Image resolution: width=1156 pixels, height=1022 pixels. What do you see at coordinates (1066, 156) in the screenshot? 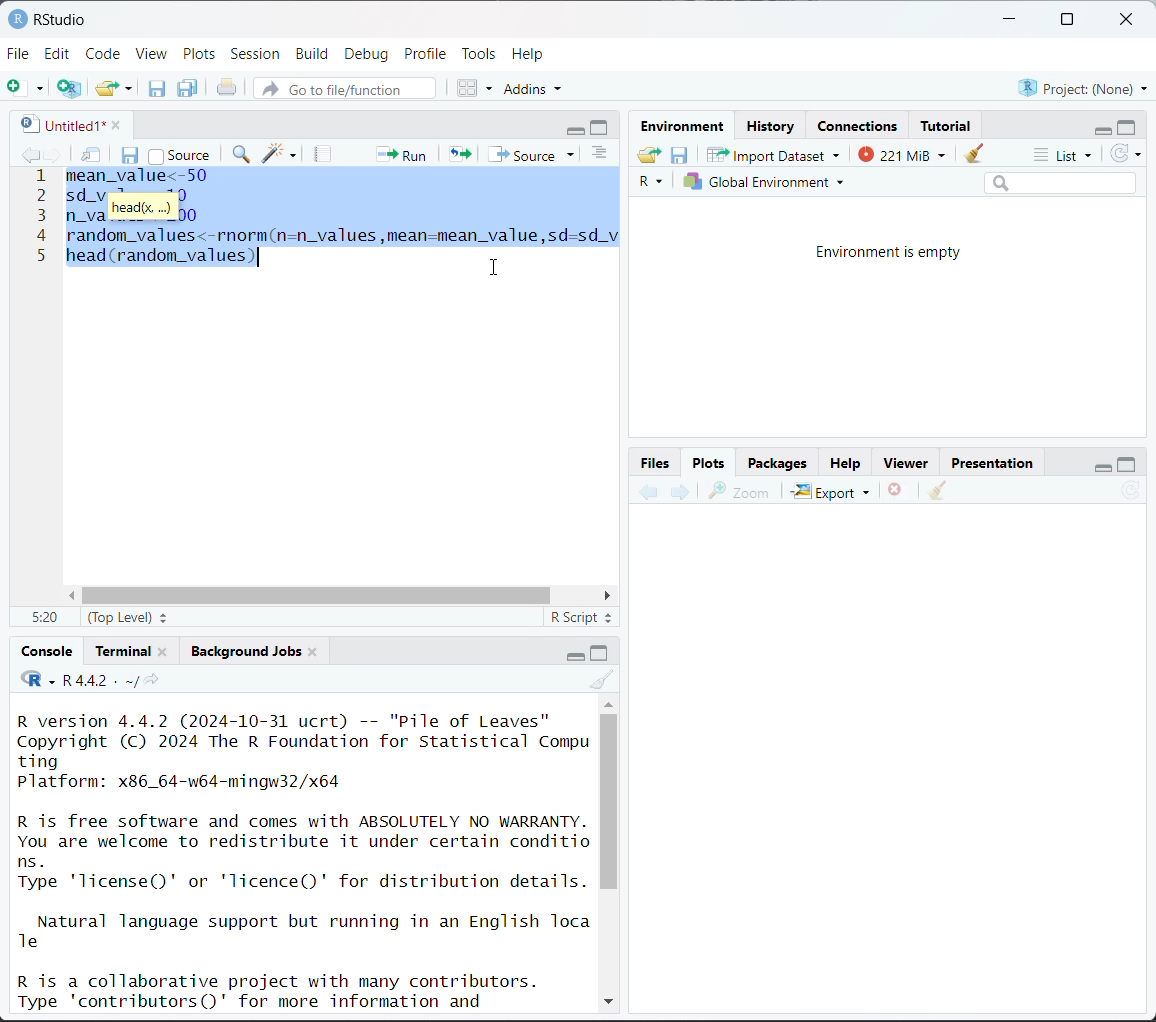
I see `list` at bounding box center [1066, 156].